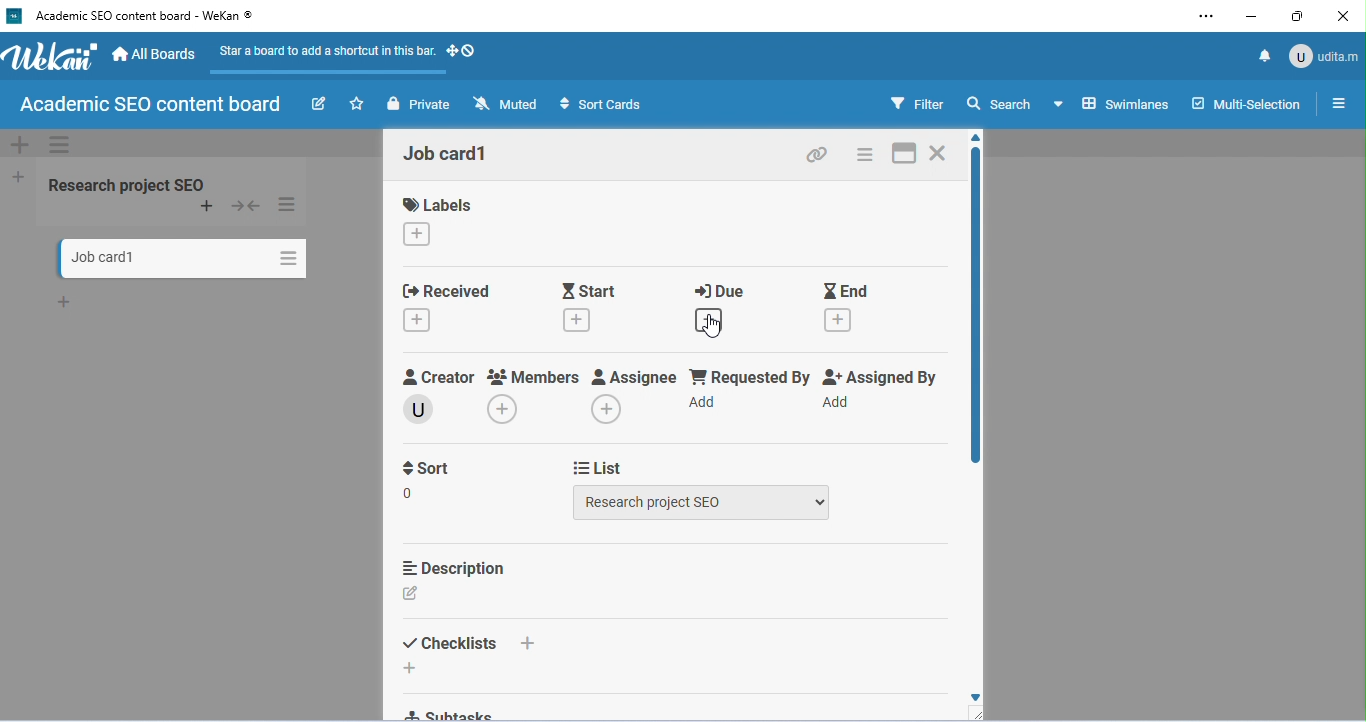  I want to click on description, so click(452, 567).